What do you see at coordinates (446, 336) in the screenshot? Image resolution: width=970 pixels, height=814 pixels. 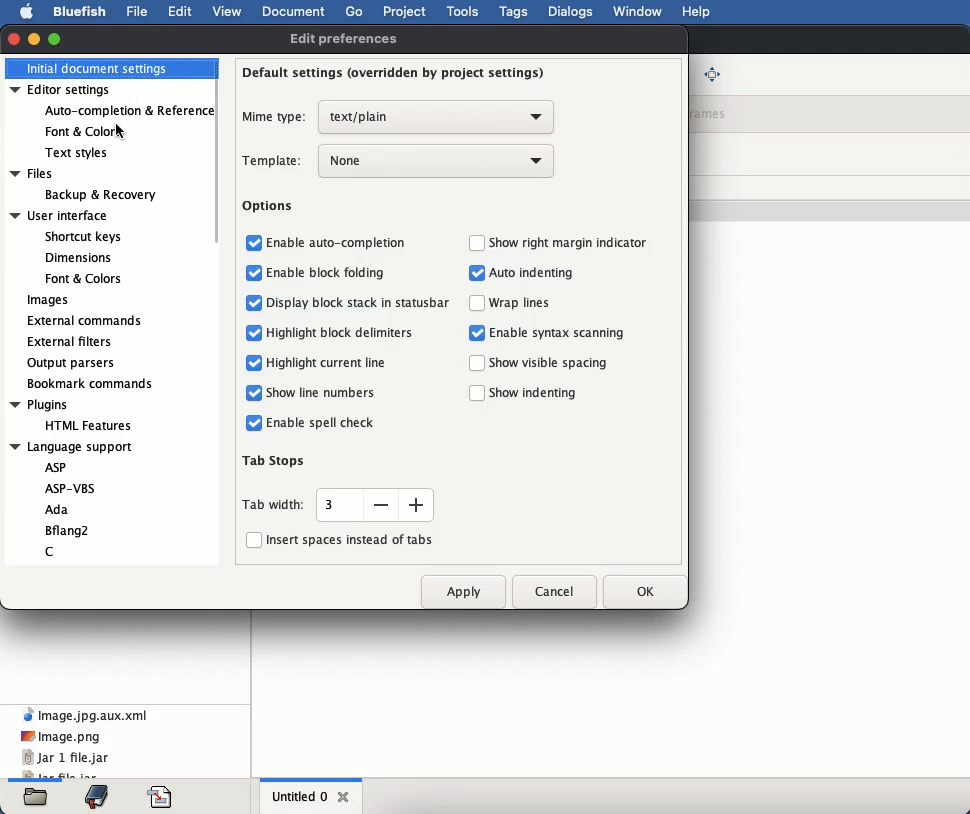 I see `options` at bounding box center [446, 336].